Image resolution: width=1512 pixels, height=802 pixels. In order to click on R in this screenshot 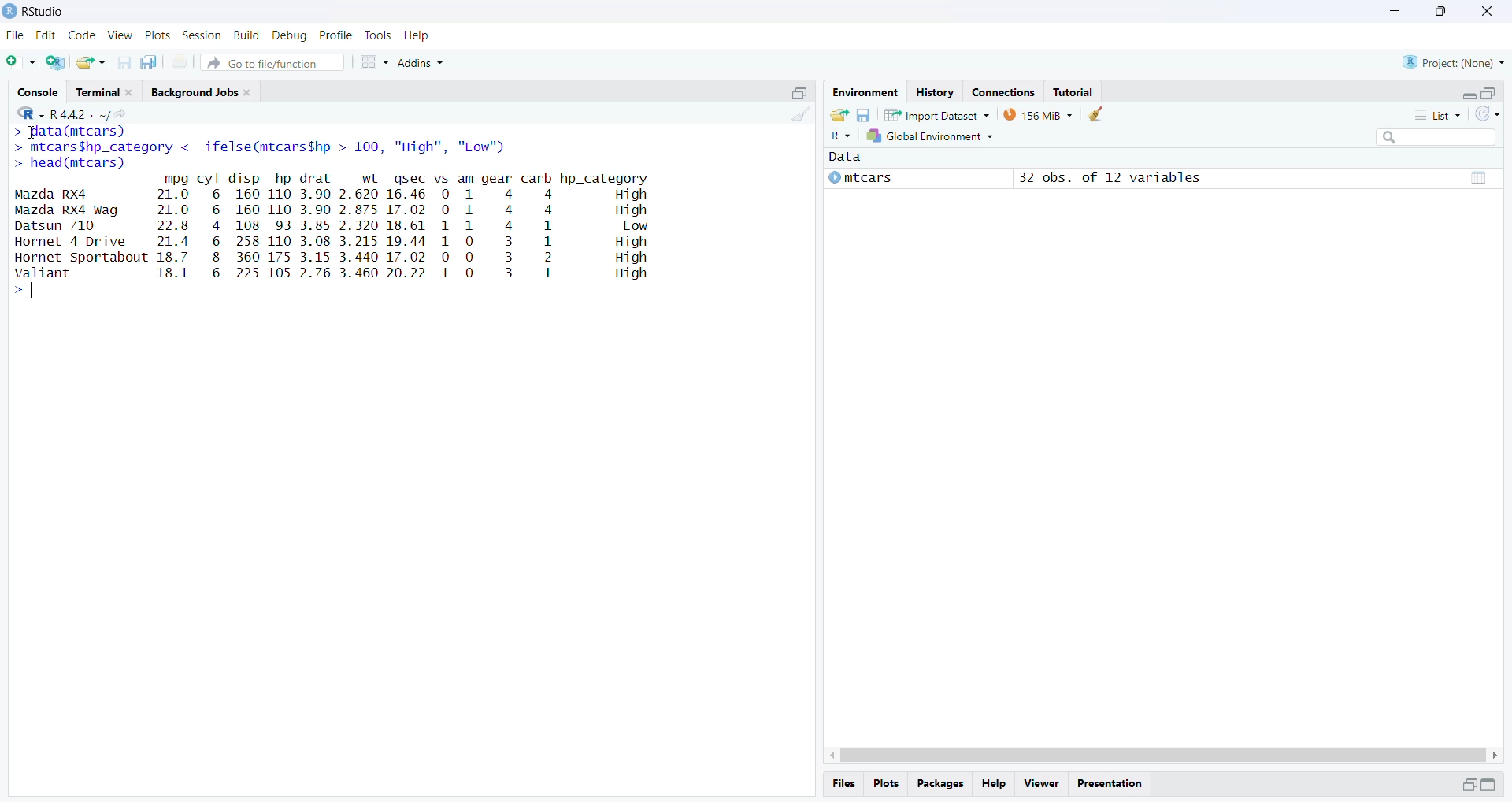, I will do `click(26, 112)`.